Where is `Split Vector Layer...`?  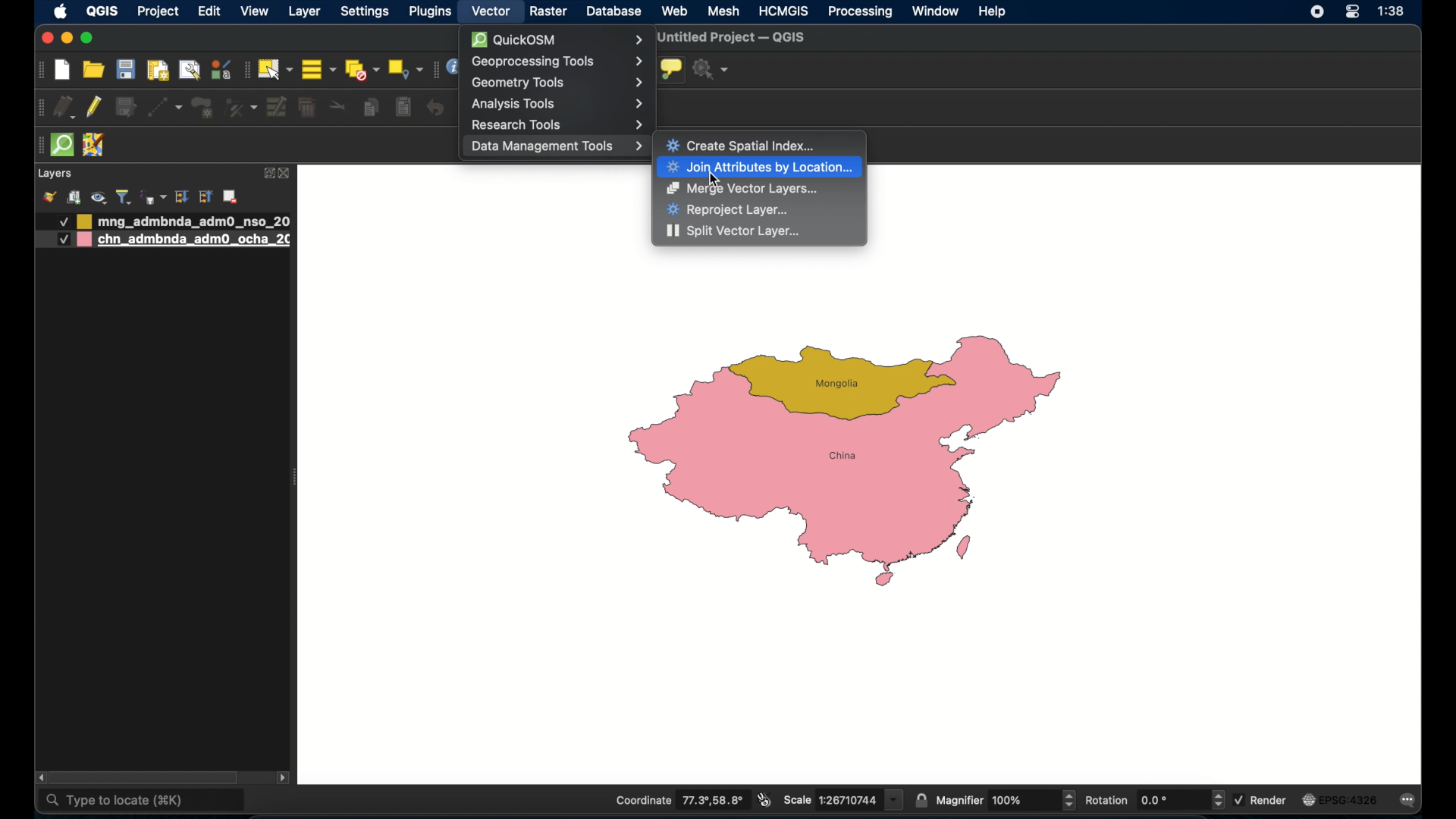
Split Vector Layer... is located at coordinates (734, 231).